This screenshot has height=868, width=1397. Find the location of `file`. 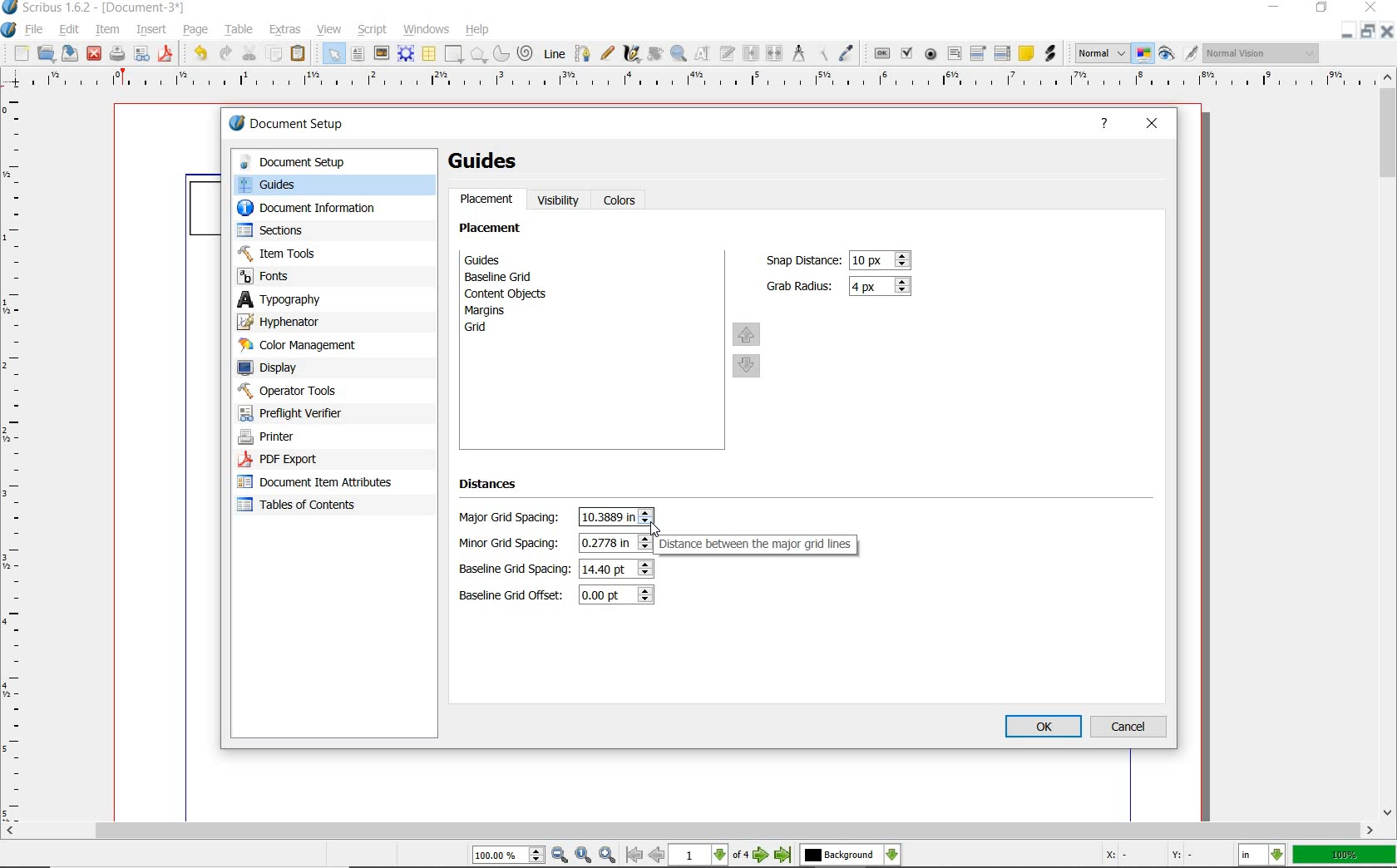

file is located at coordinates (37, 30).